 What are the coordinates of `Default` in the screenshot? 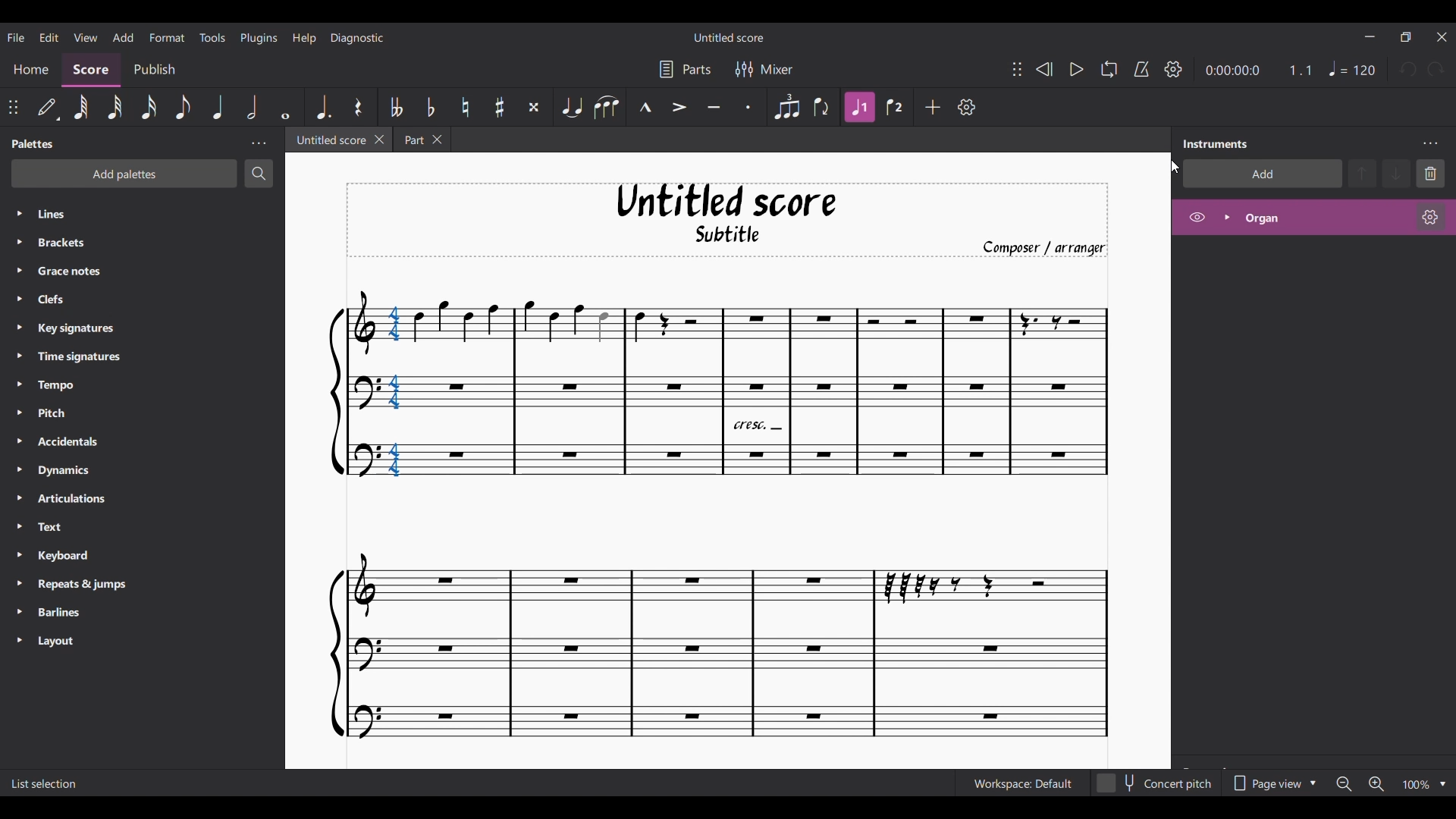 It's located at (48, 107).